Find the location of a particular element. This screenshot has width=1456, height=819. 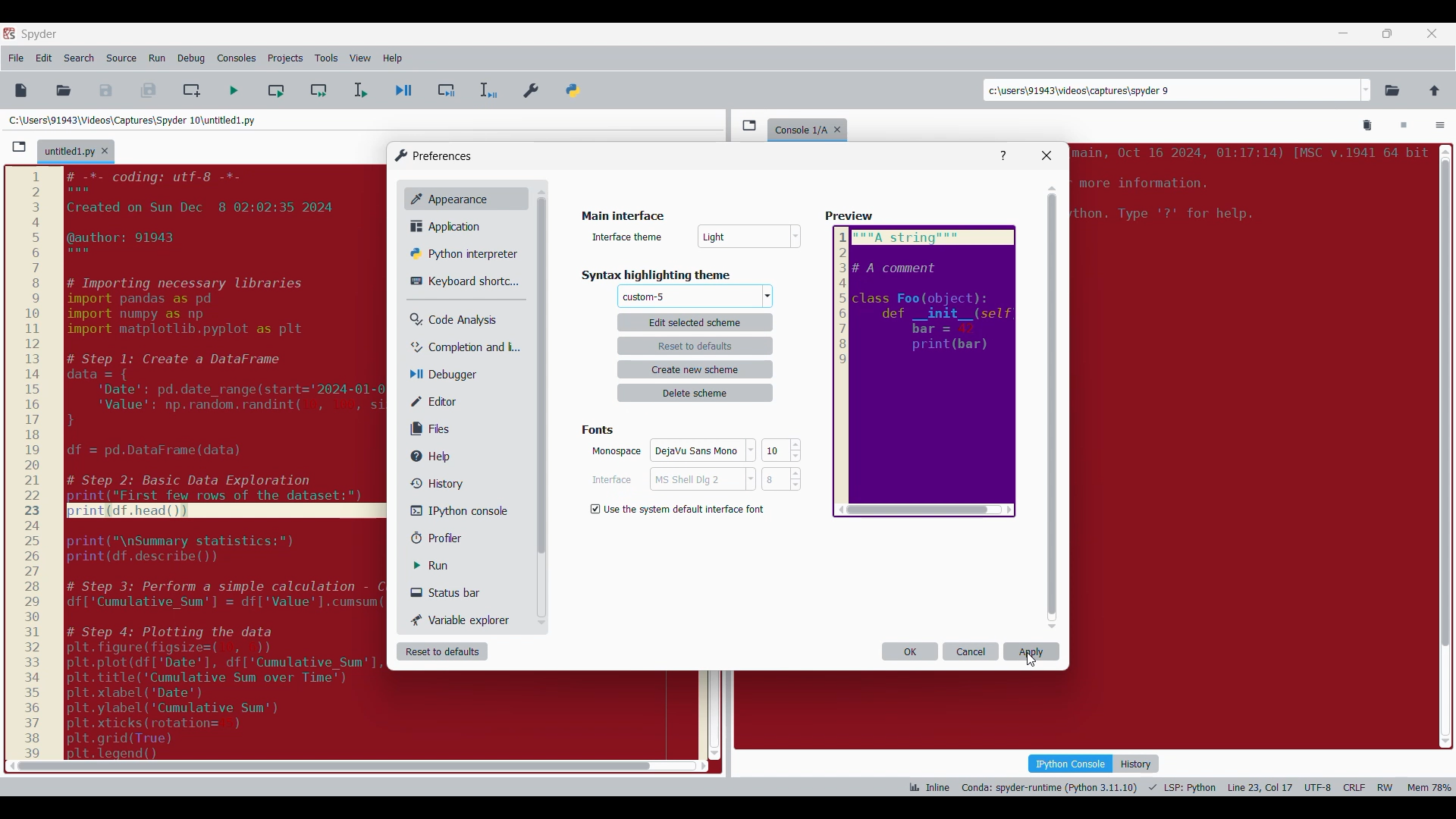

Run menu is located at coordinates (157, 58).